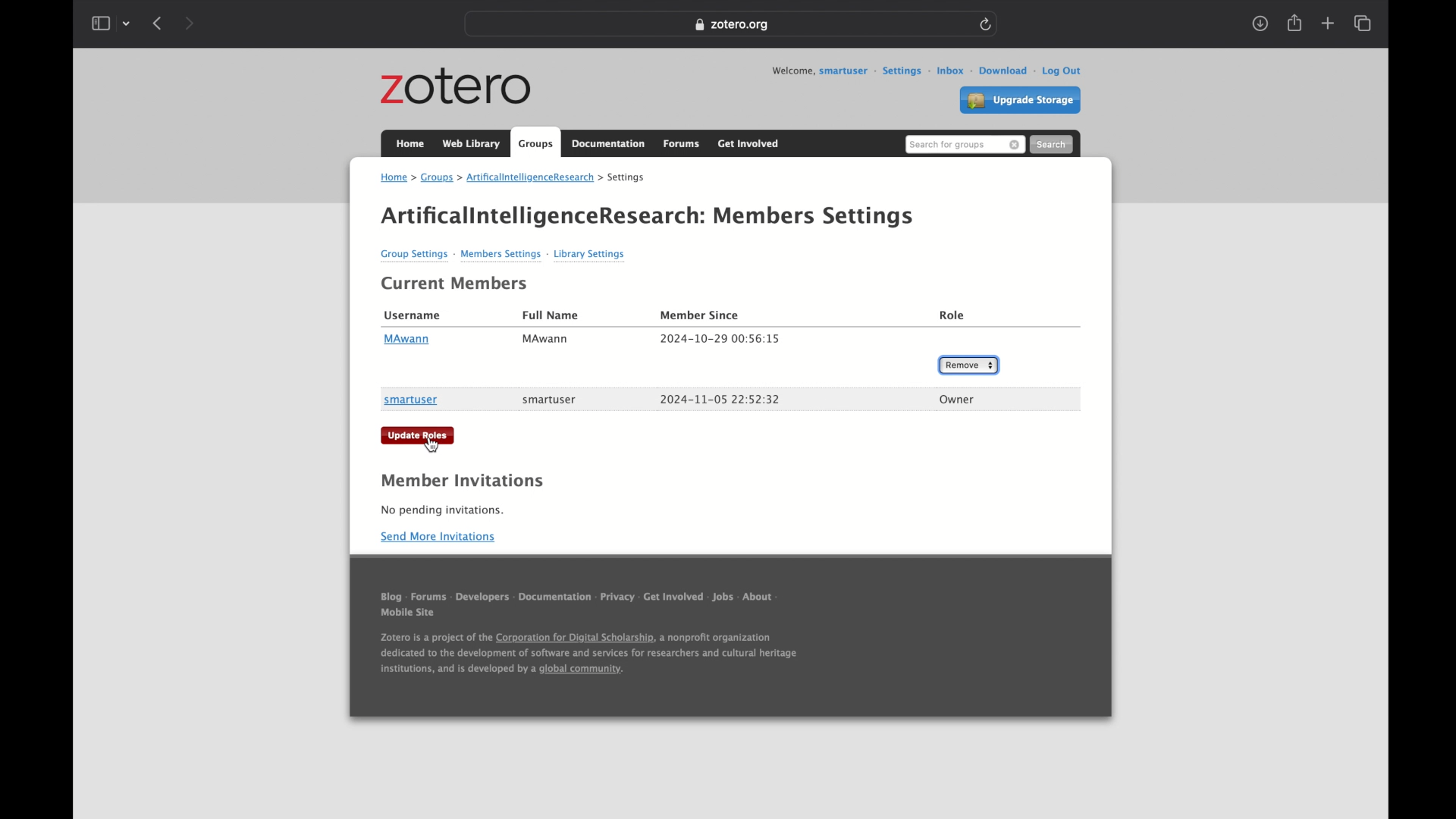 The height and width of the screenshot is (819, 1456). Describe the element at coordinates (609, 144) in the screenshot. I see `documentation` at that location.